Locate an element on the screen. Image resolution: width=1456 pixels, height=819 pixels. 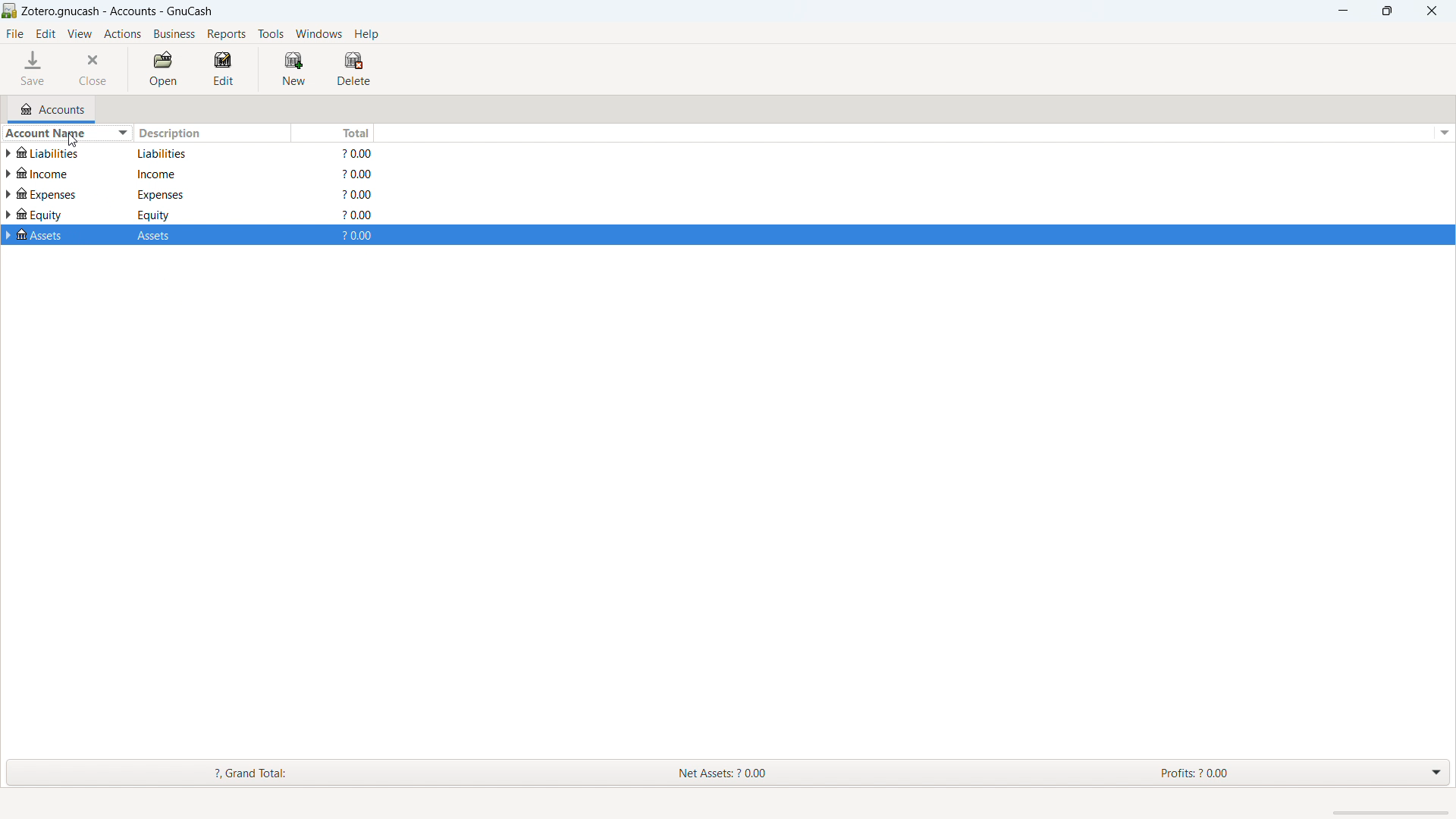
scrollbar is located at coordinates (1390, 813).